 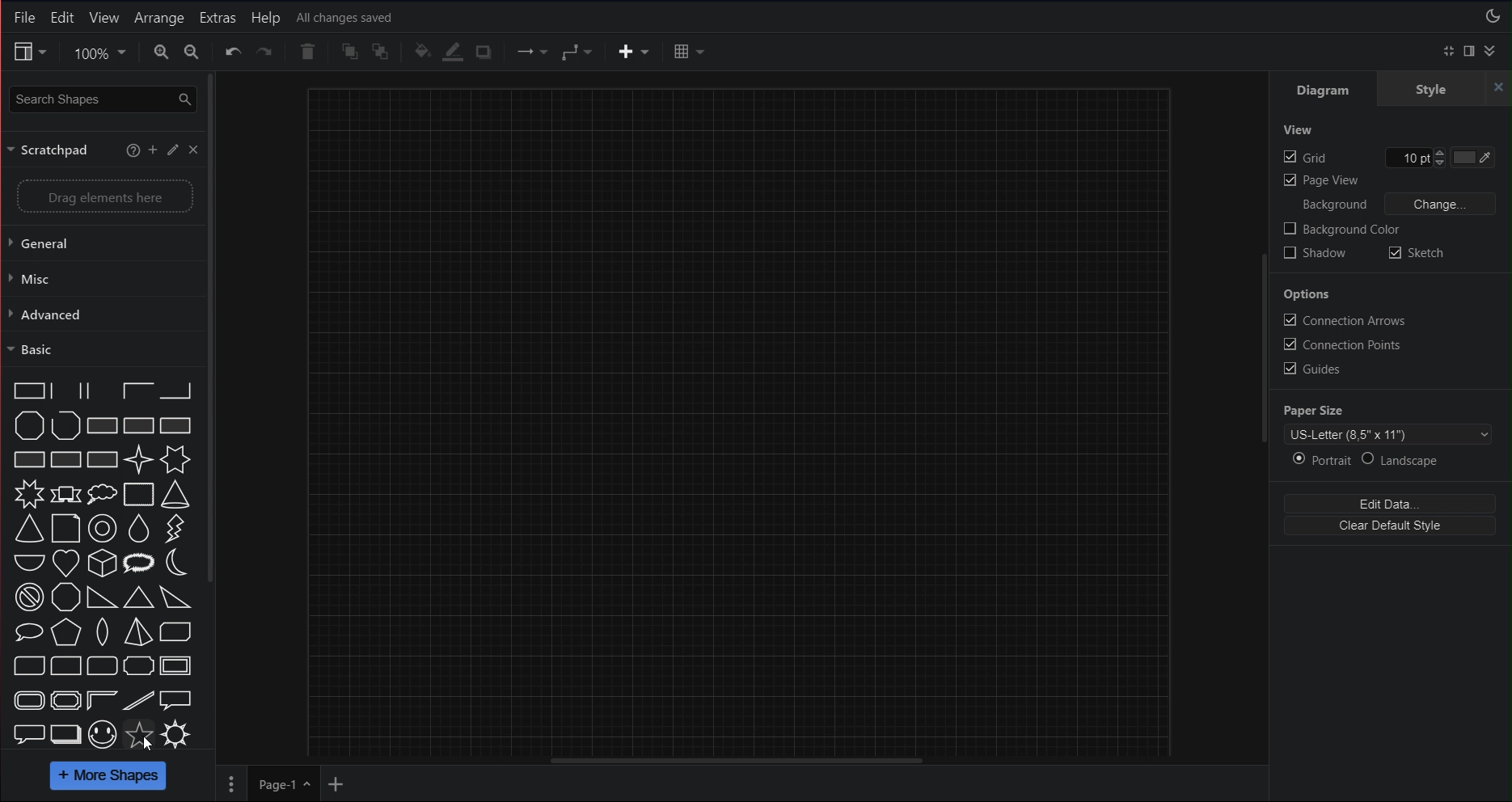 I want to click on View, so click(x=104, y=18).